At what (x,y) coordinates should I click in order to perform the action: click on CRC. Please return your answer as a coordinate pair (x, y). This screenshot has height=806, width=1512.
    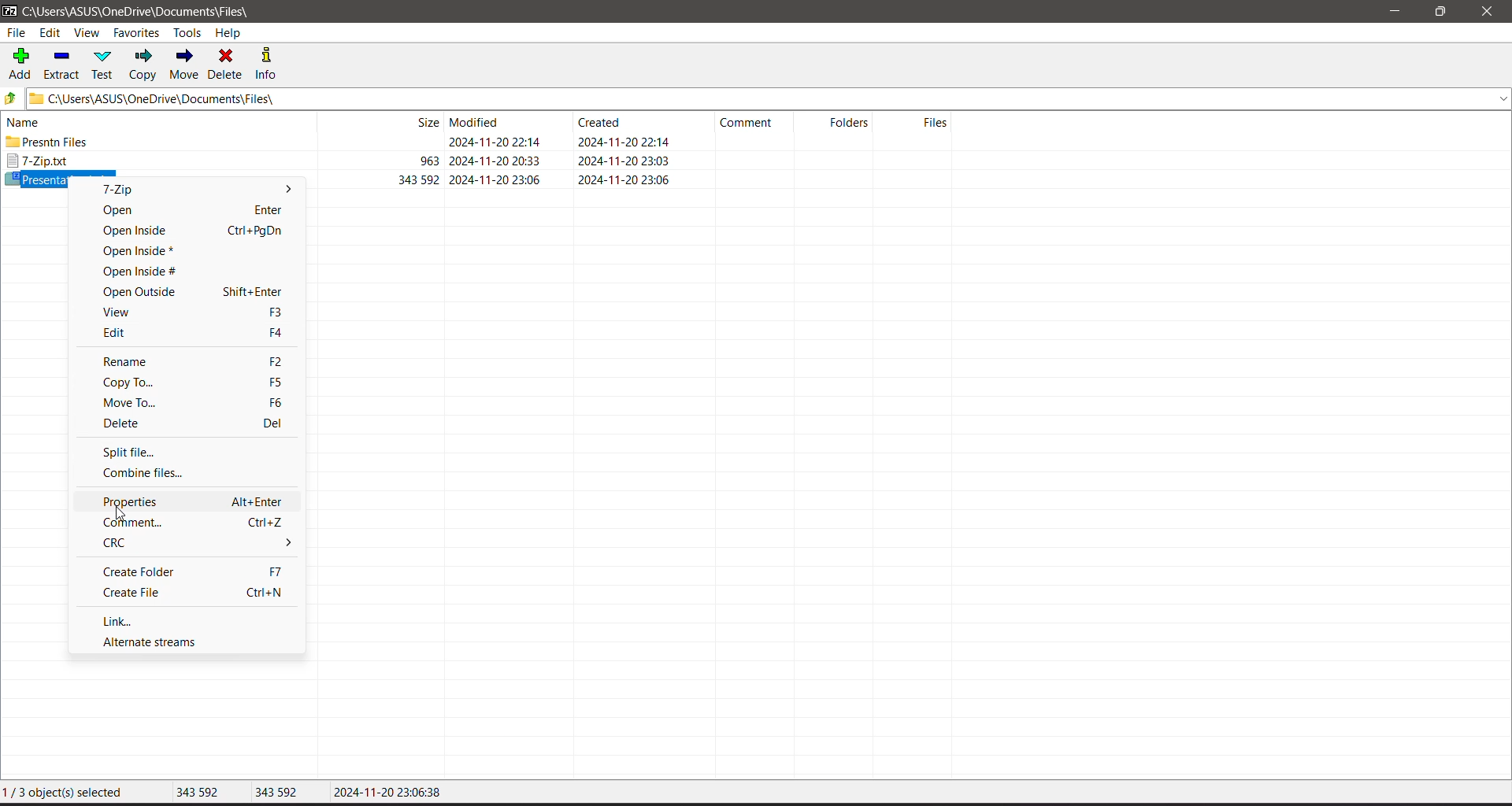
    Looking at the image, I should click on (154, 543).